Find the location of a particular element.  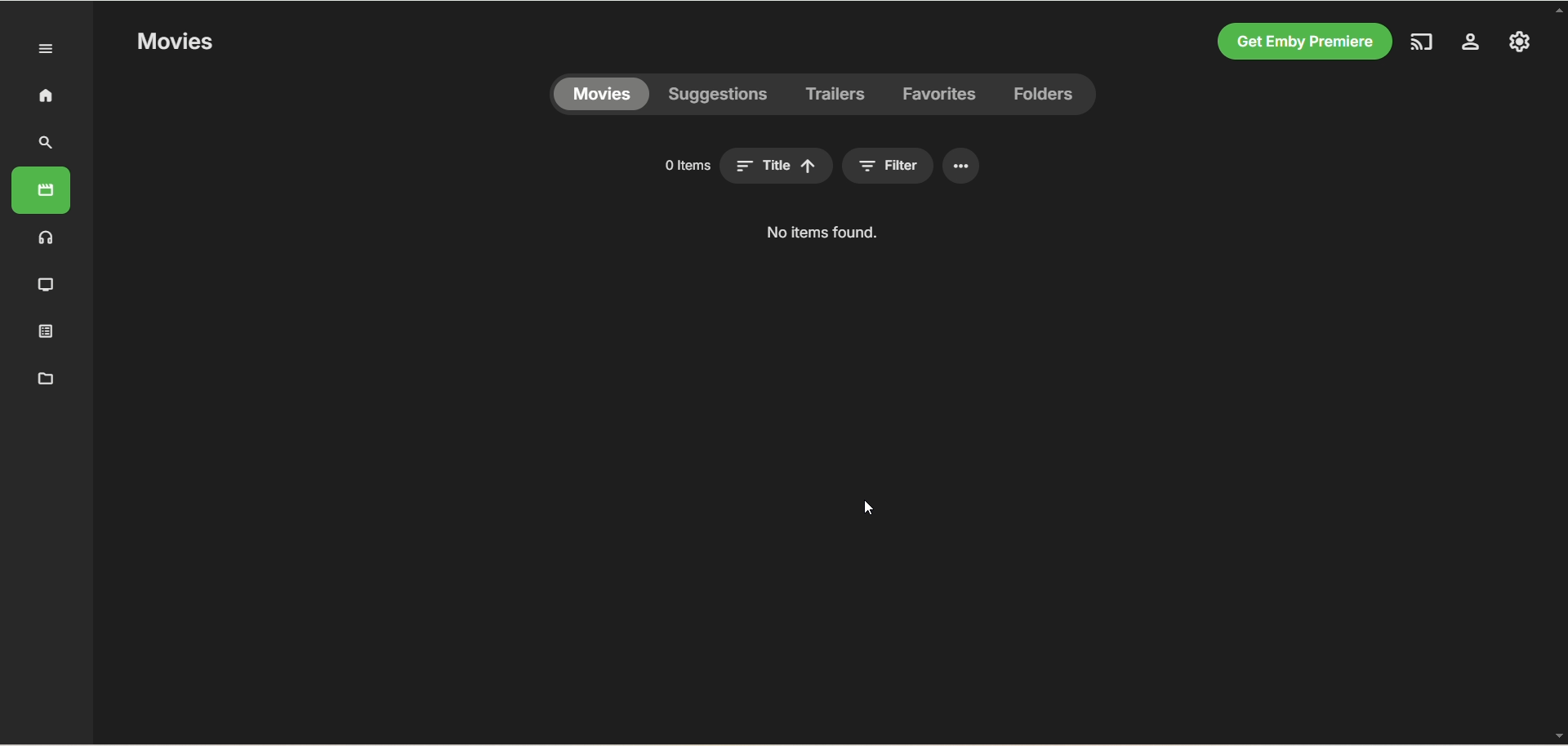

filter is located at coordinates (987, 166).